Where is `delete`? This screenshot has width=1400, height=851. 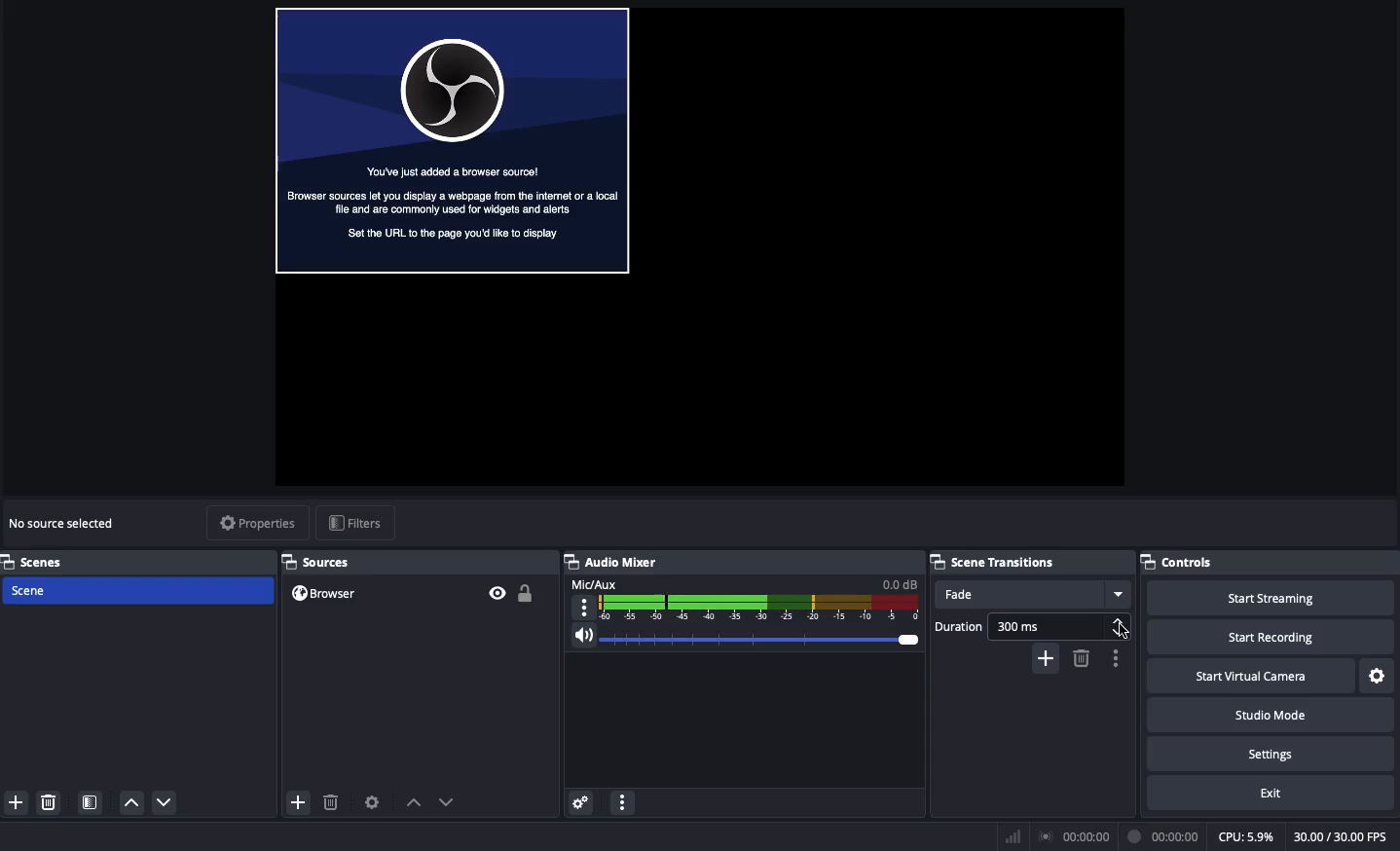 delete is located at coordinates (1085, 660).